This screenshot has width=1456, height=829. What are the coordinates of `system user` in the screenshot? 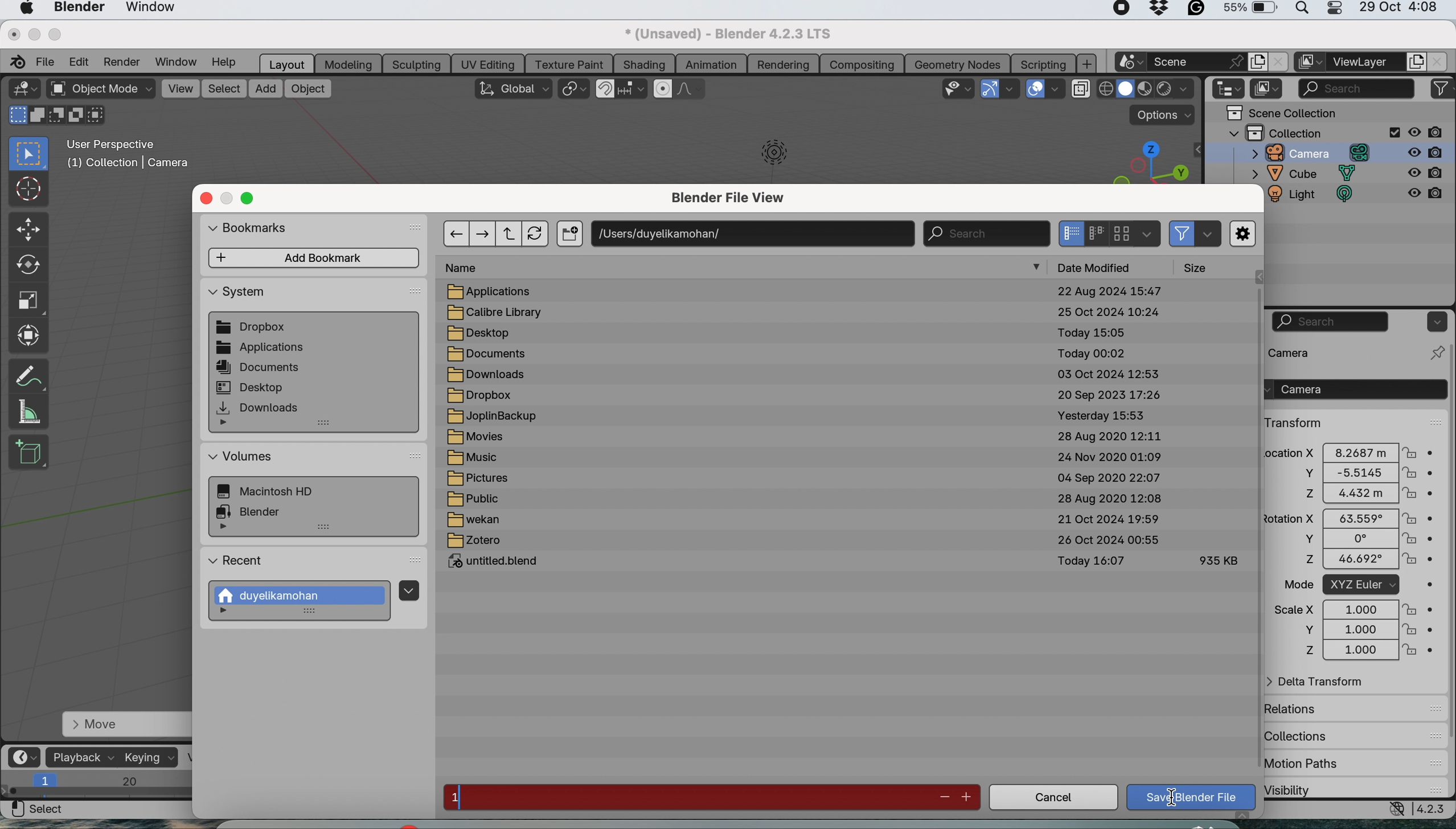 It's located at (303, 596).